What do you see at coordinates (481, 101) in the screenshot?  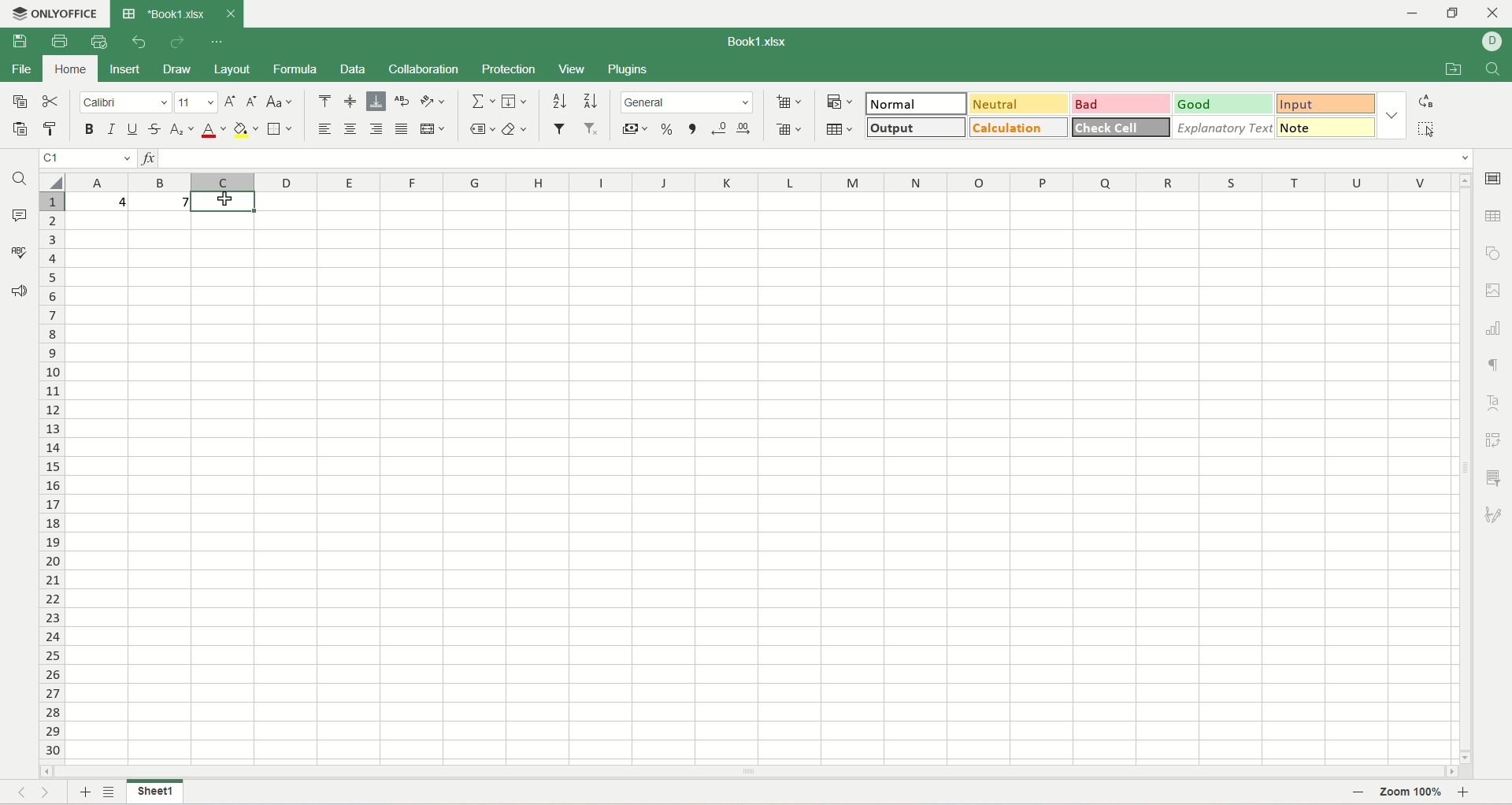 I see `summation` at bounding box center [481, 101].